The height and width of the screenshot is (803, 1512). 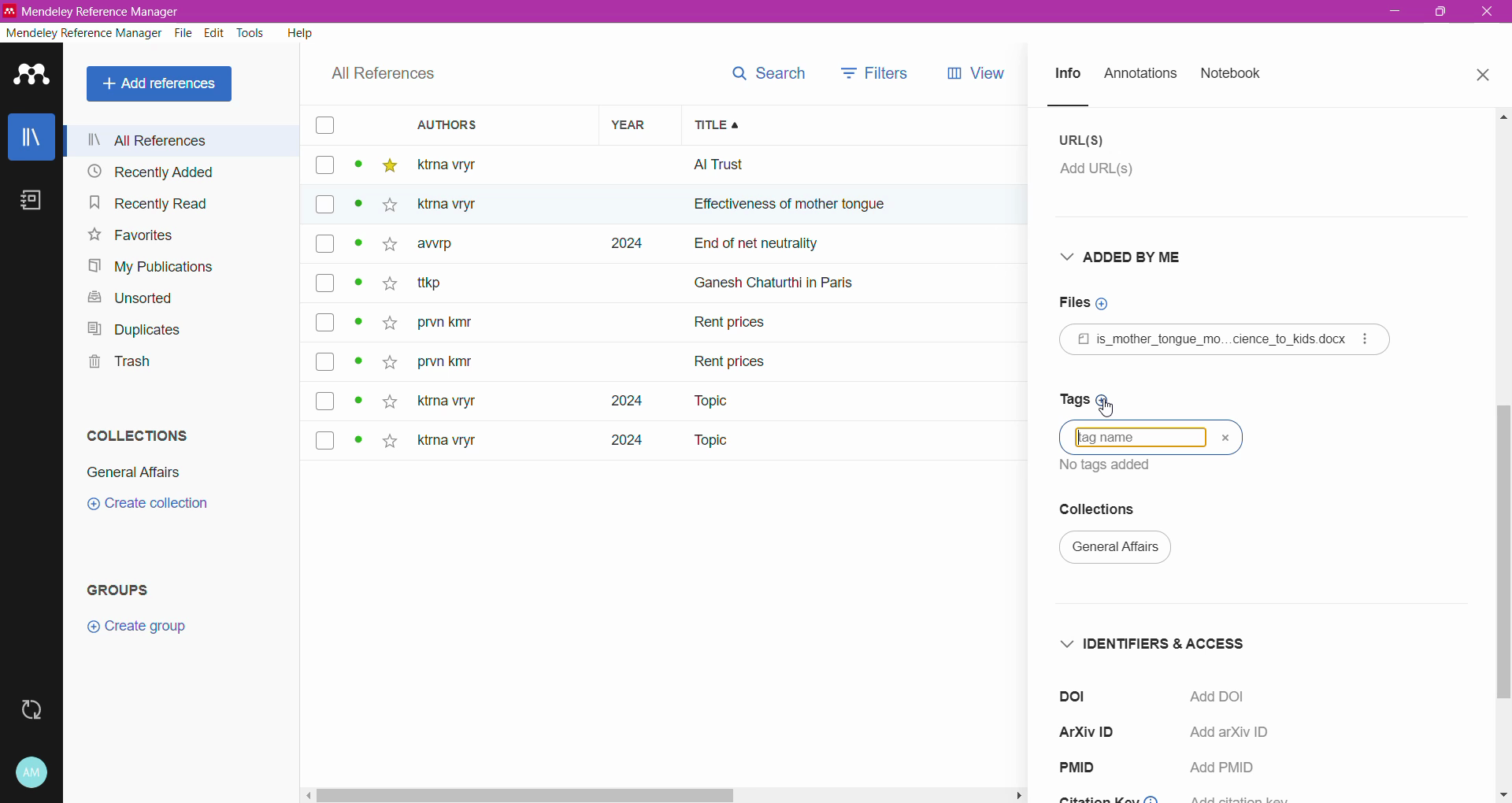 What do you see at coordinates (252, 33) in the screenshot?
I see `Tools` at bounding box center [252, 33].